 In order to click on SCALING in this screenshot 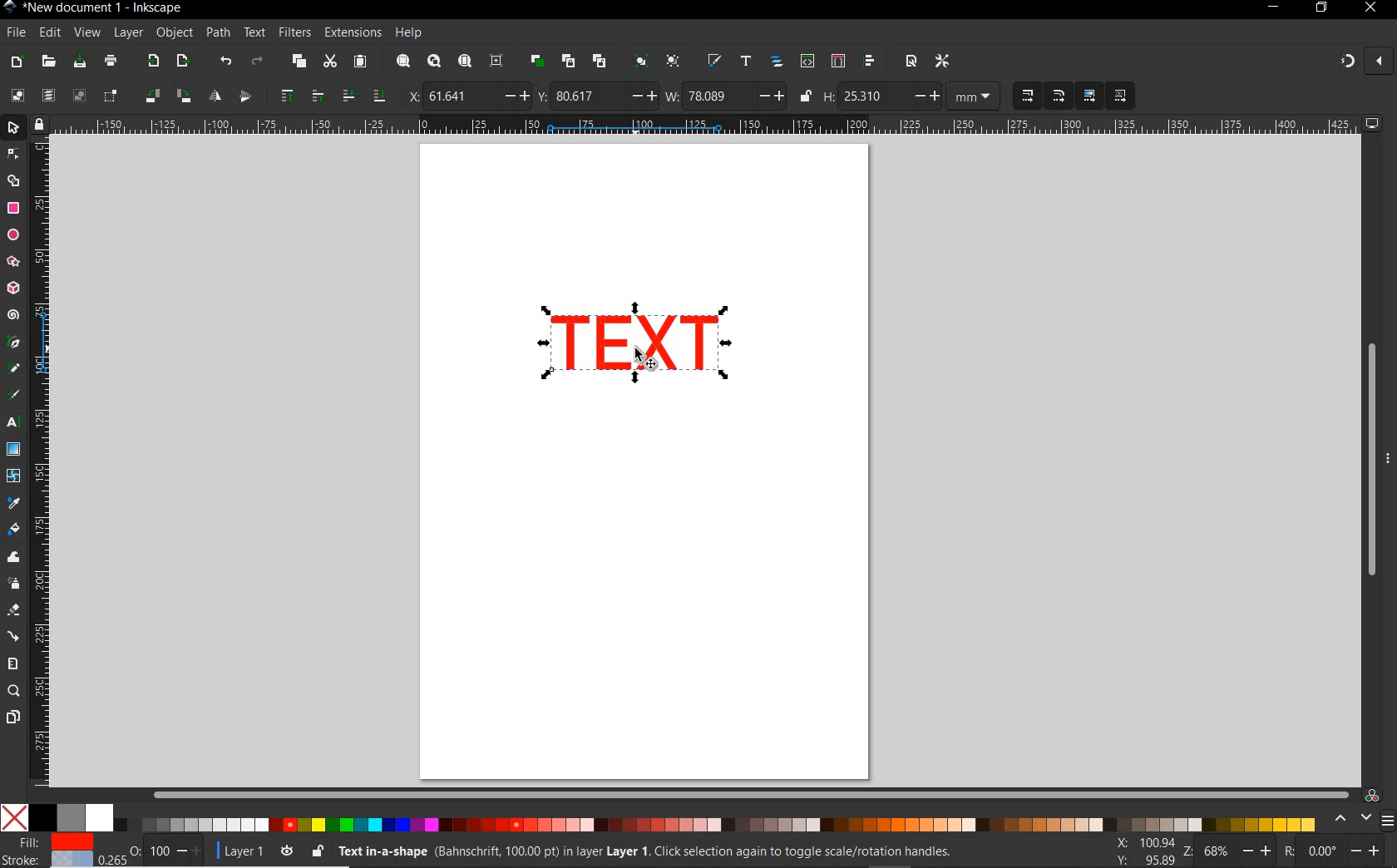, I will do `click(1043, 96)`.